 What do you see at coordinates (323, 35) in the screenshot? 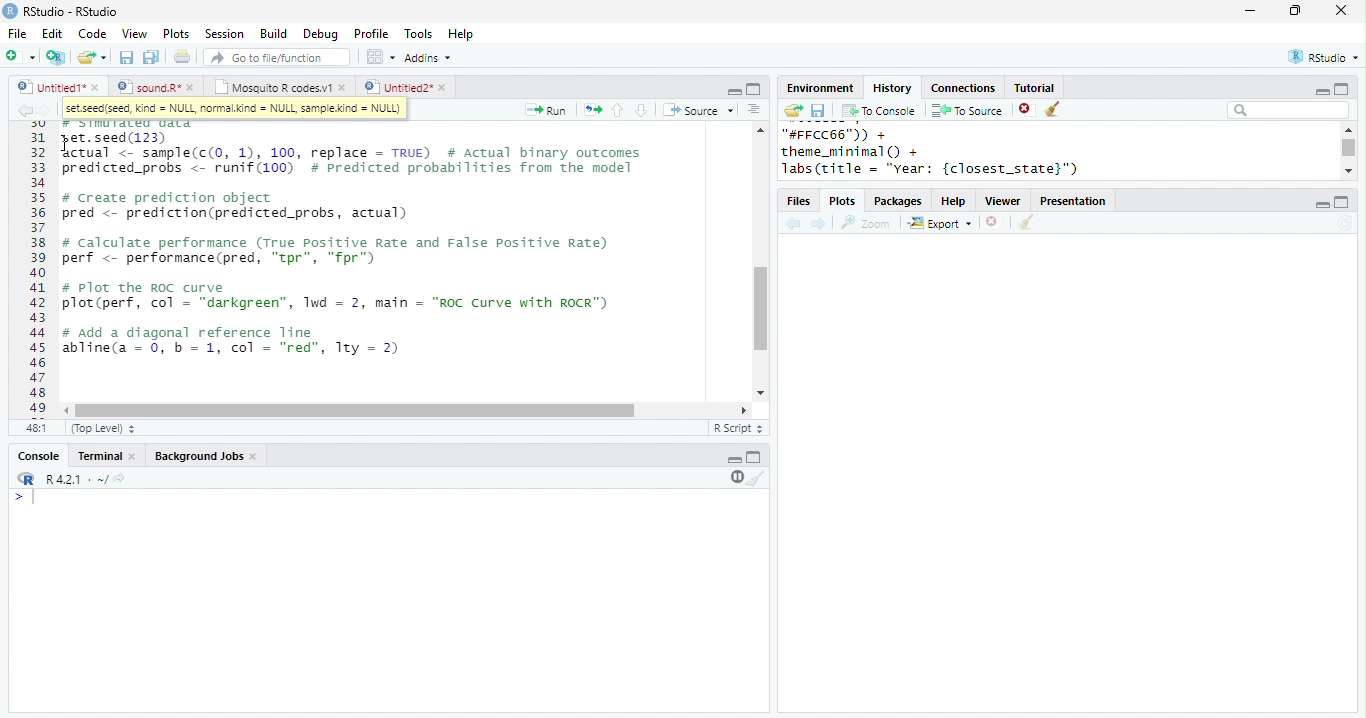
I see `Debug` at bounding box center [323, 35].